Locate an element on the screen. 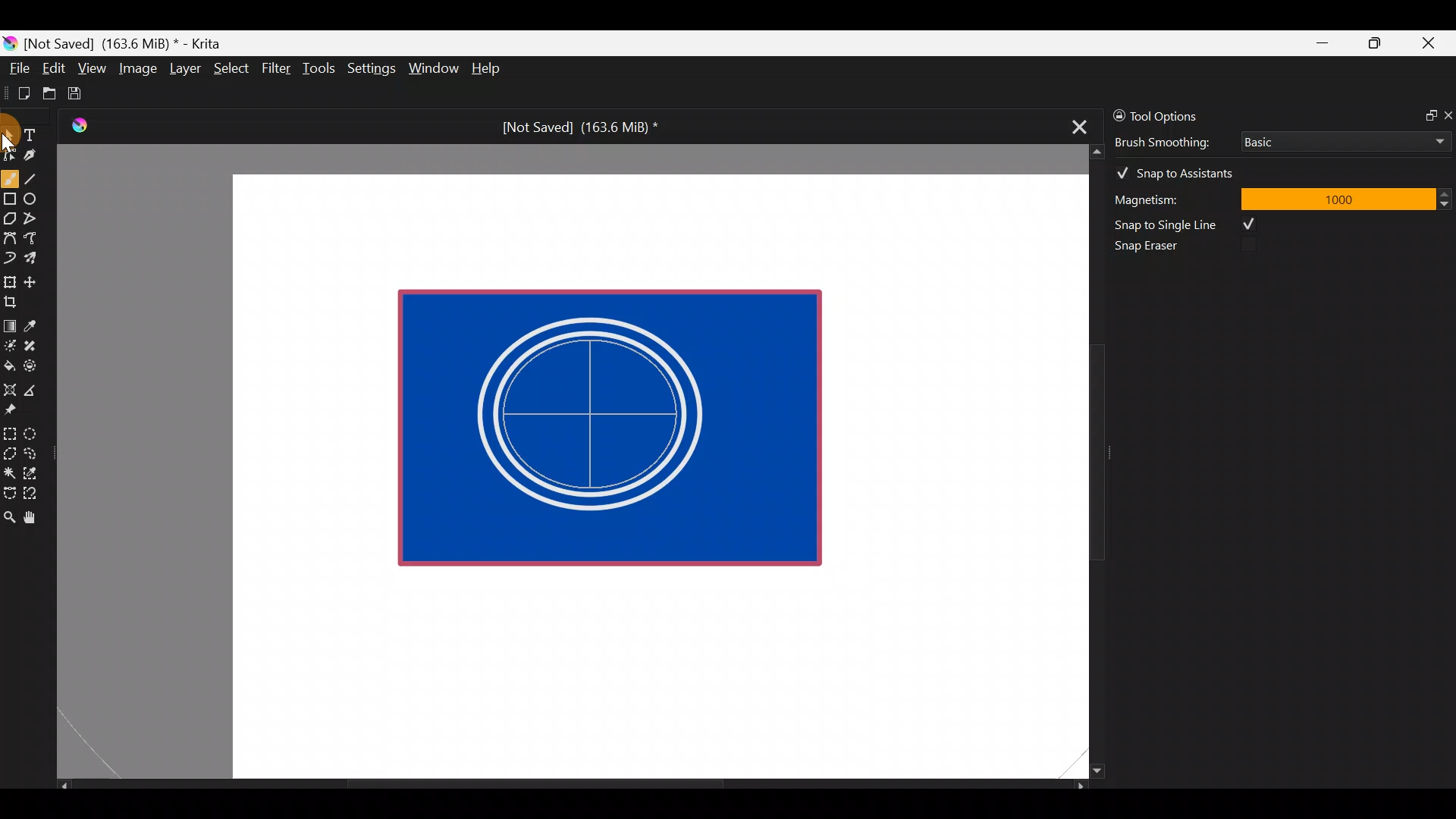  Krita Logo is located at coordinates (77, 125).